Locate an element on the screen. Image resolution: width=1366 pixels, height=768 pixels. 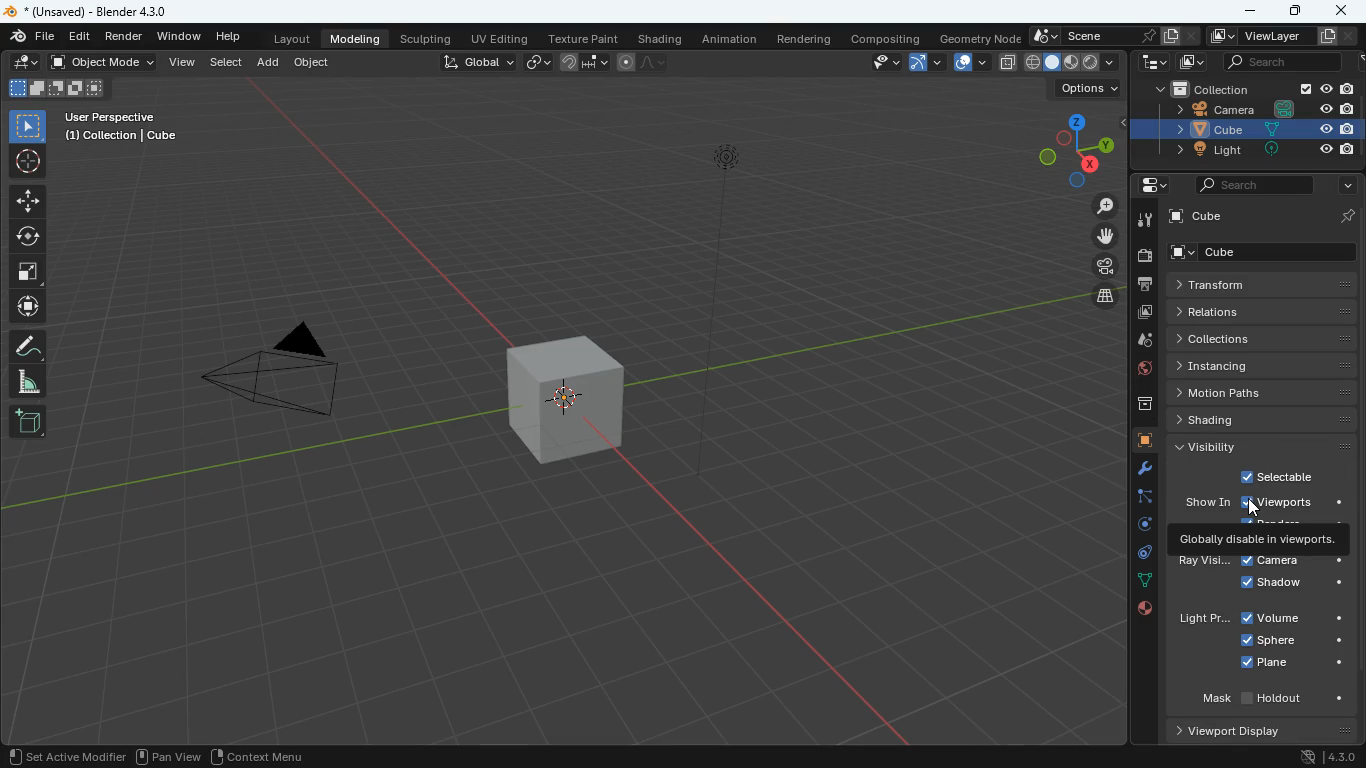
sphere is located at coordinates (1293, 642).